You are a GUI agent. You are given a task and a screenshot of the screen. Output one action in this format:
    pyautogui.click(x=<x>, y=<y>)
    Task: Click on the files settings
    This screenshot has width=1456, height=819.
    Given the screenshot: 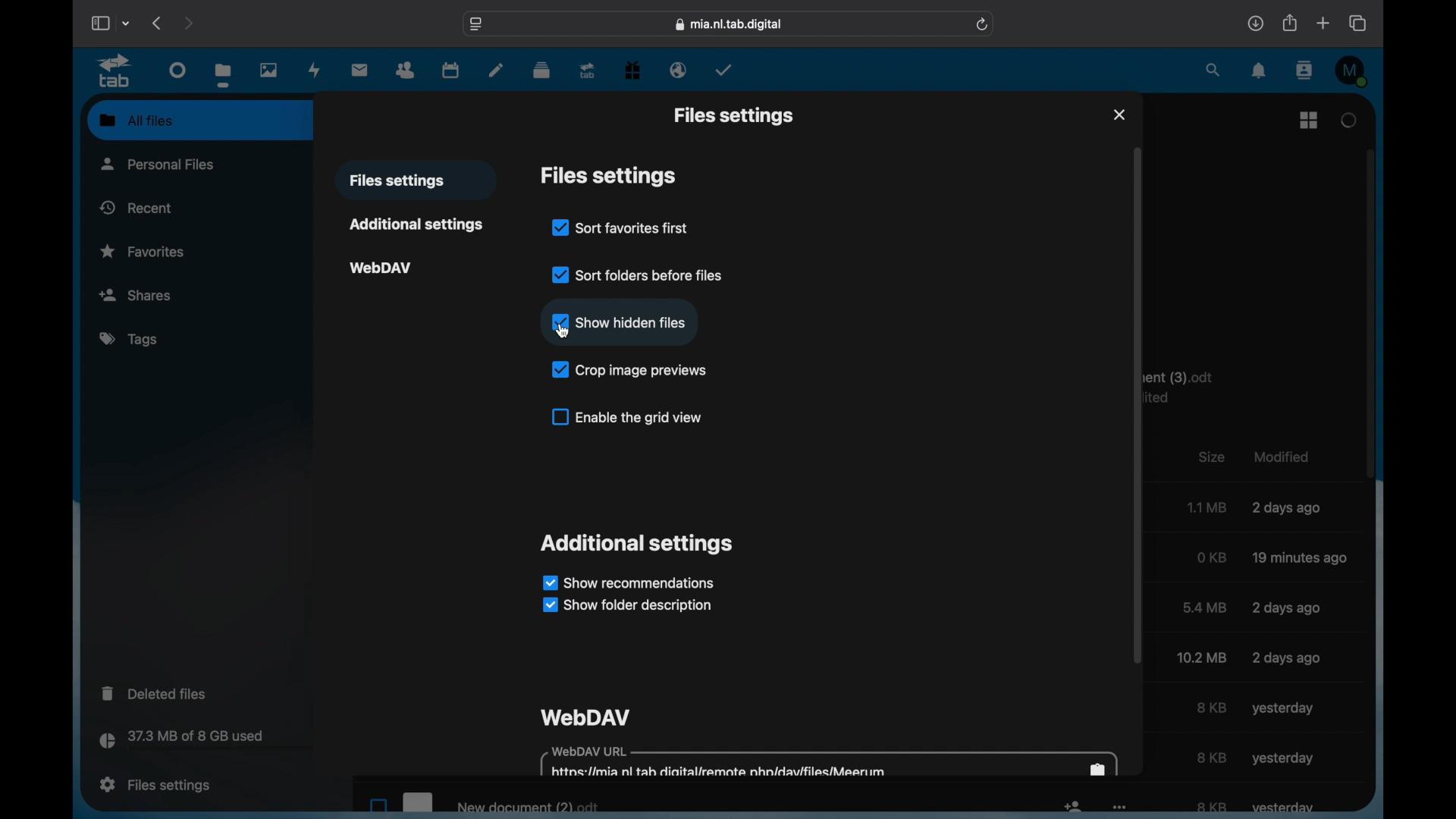 What is the action you would take?
    pyautogui.click(x=607, y=176)
    